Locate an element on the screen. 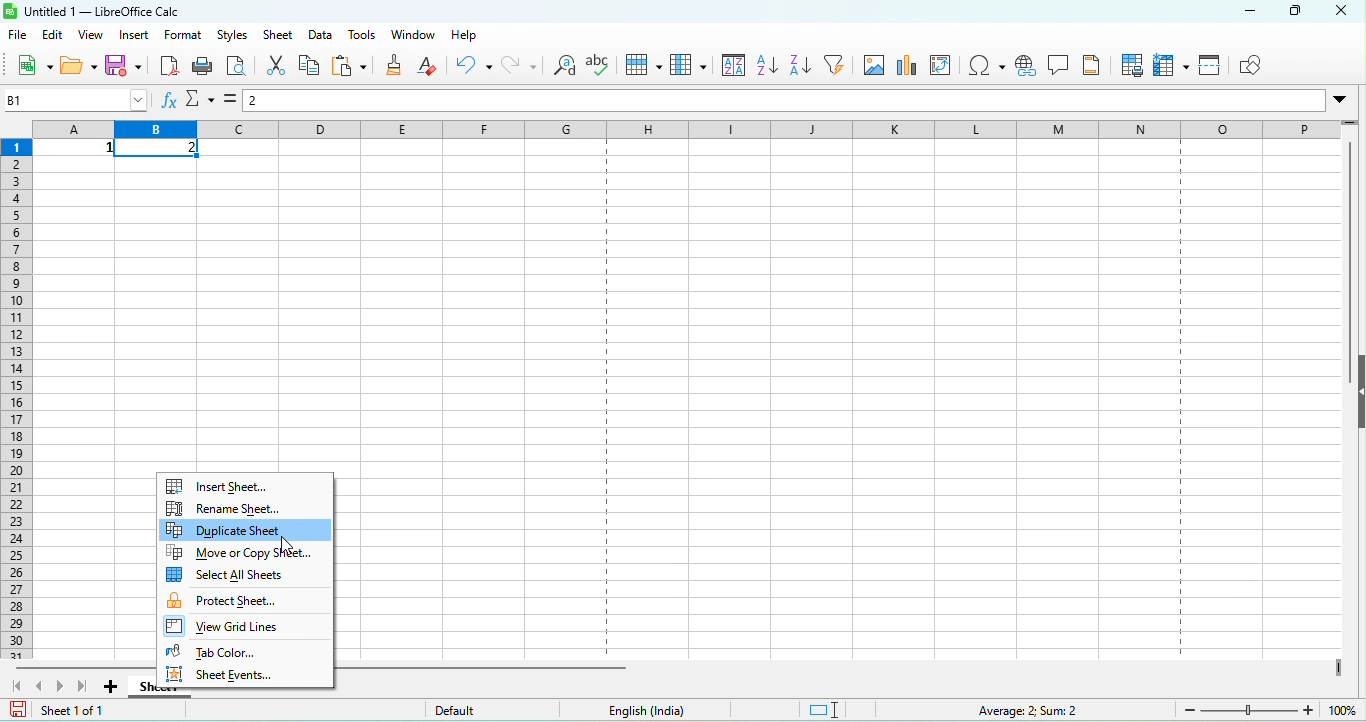  print area is located at coordinates (1131, 66).